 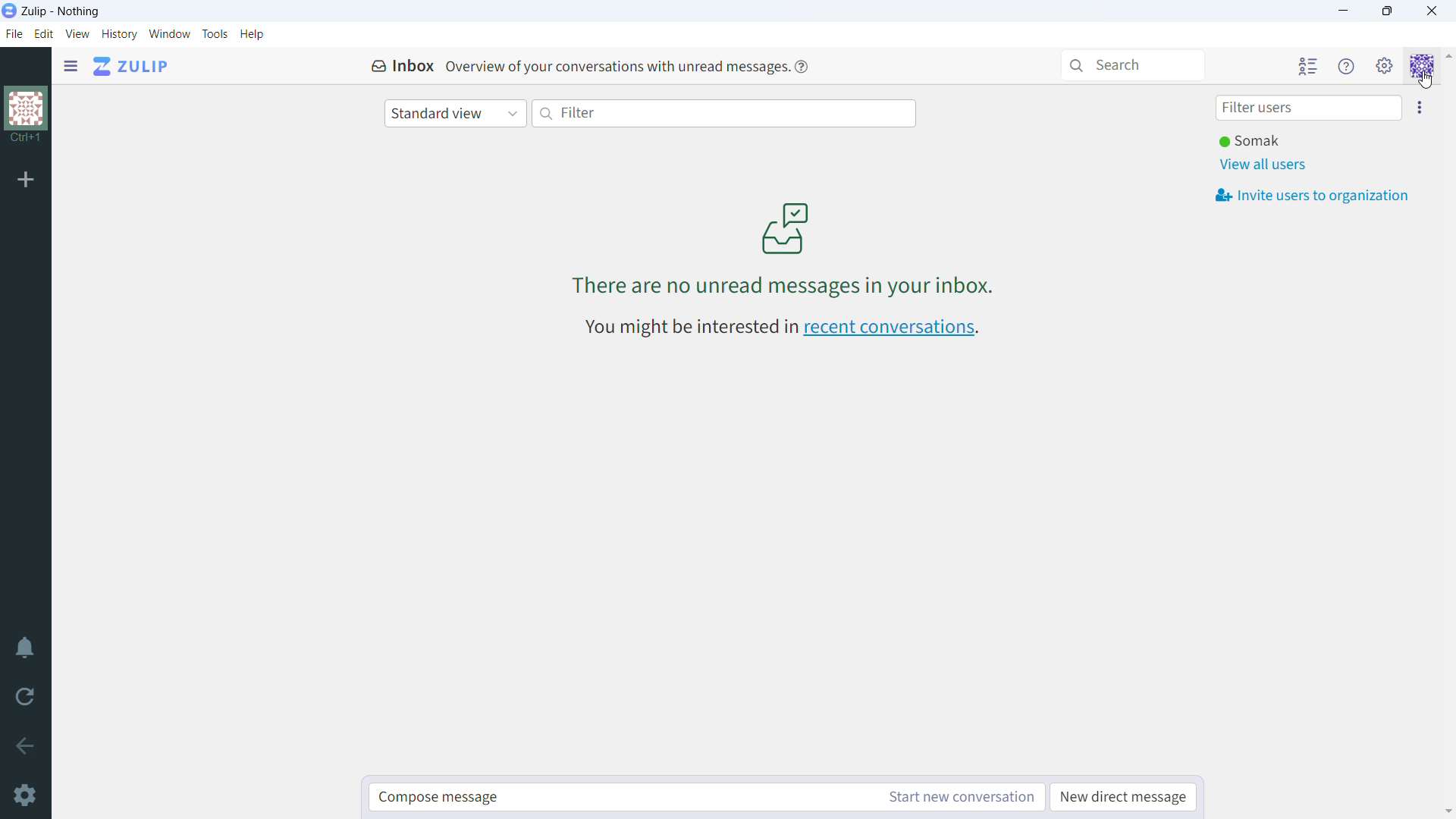 What do you see at coordinates (781, 326) in the screenshot?
I see `recent conversationa` at bounding box center [781, 326].